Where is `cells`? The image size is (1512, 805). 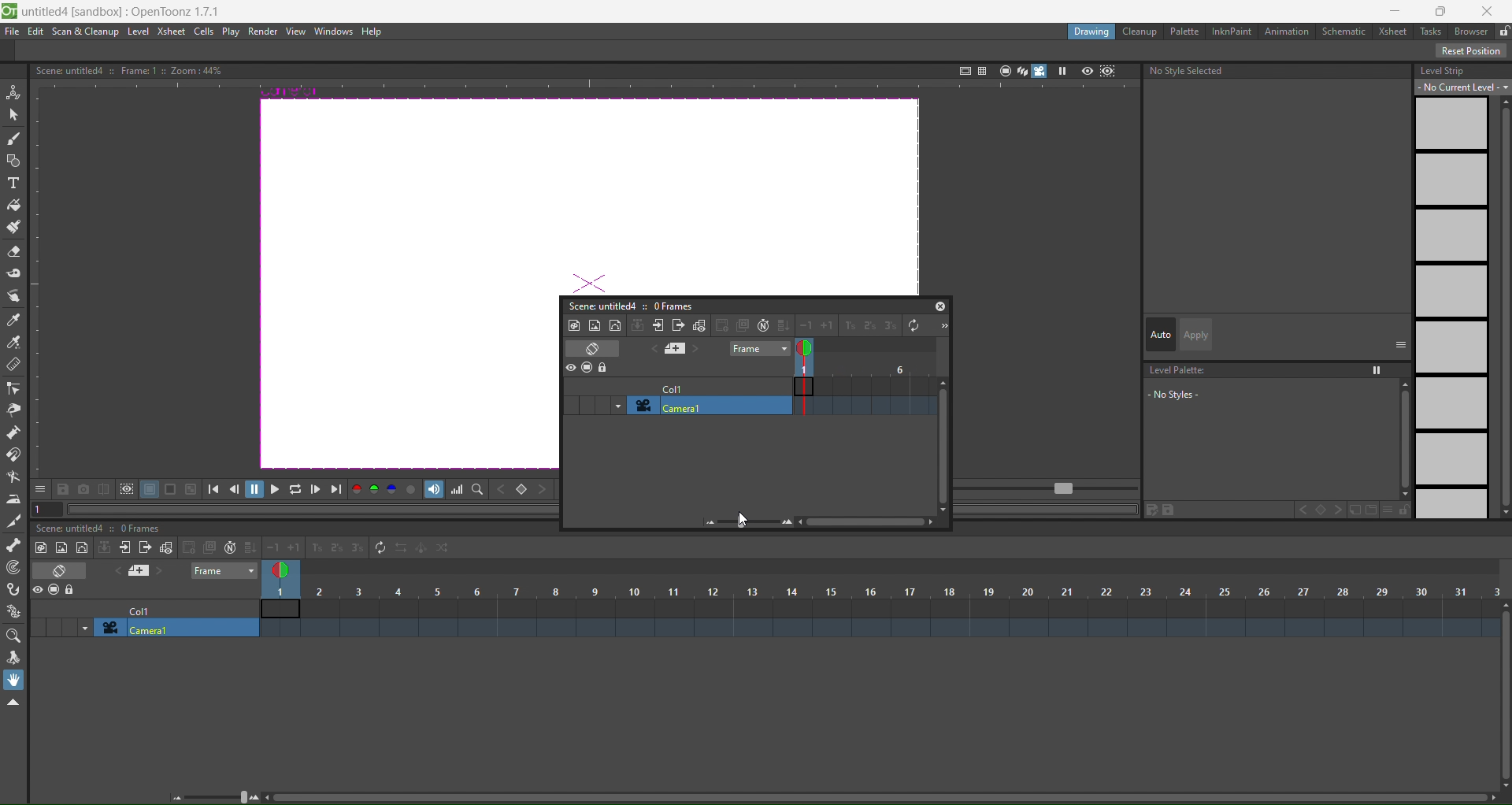
cells is located at coordinates (205, 31).